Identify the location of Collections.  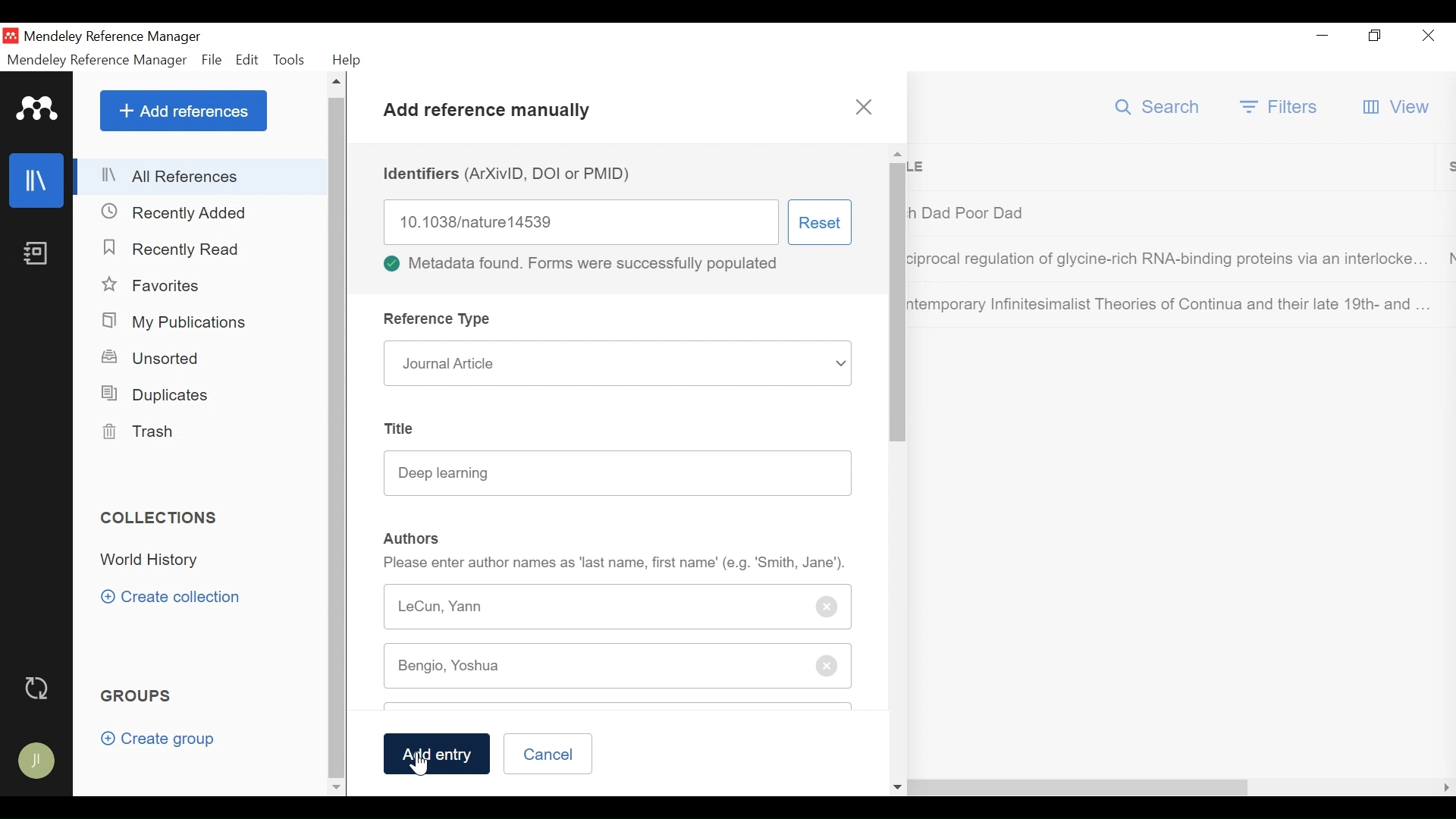
(161, 517).